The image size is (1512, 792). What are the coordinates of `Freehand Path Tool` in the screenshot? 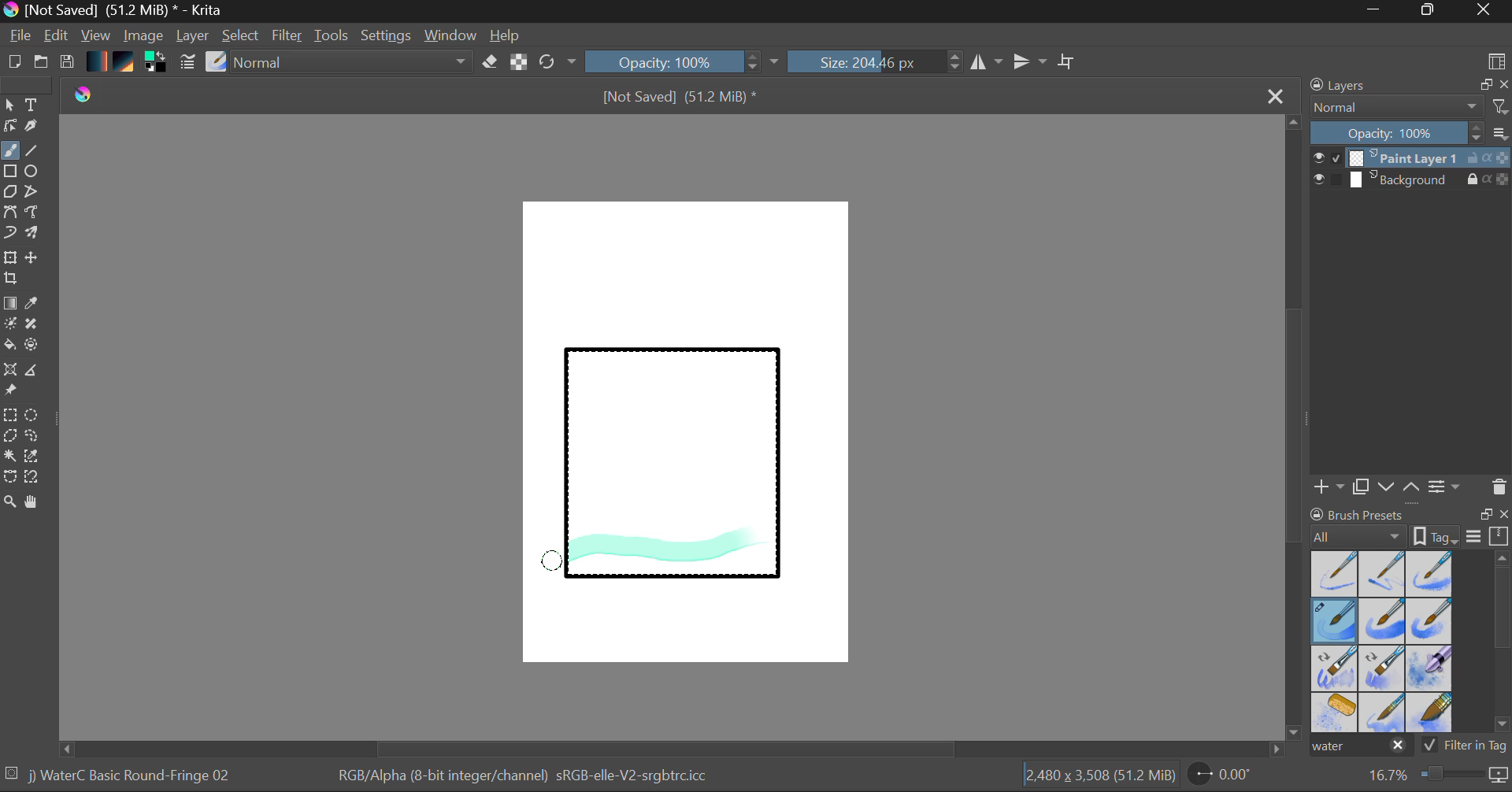 It's located at (31, 213).